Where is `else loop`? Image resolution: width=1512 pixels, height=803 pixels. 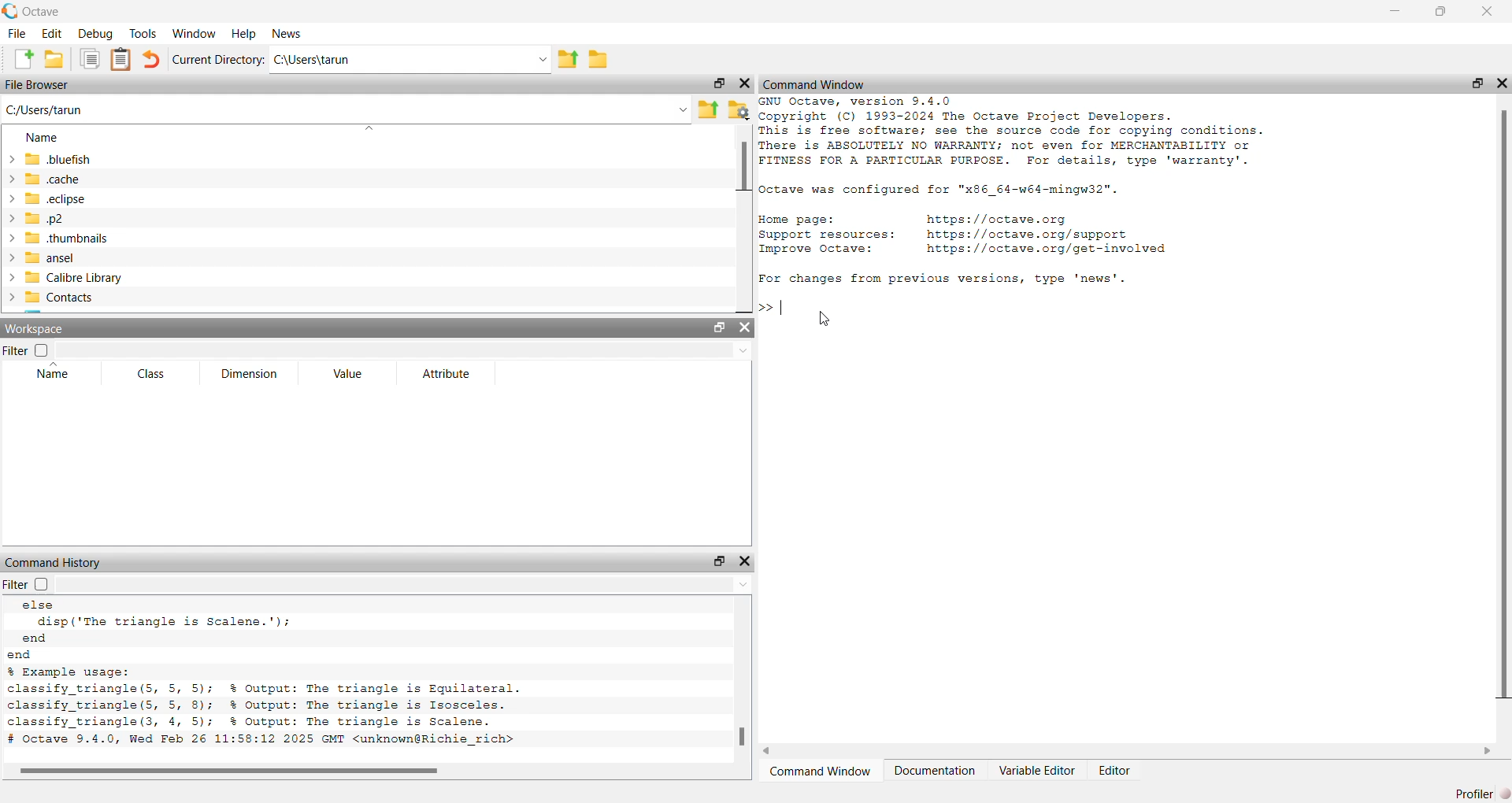
else loop is located at coordinates (174, 616).